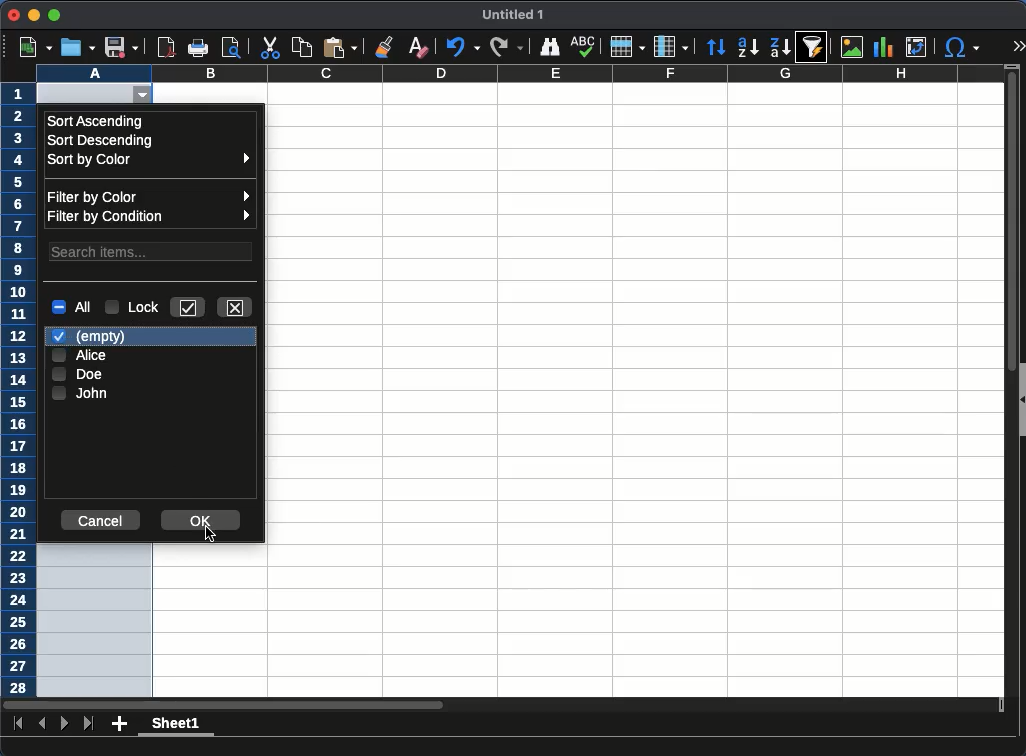  Describe the element at coordinates (44, 723) in the screenshot. I see `previous sheet` at that location.